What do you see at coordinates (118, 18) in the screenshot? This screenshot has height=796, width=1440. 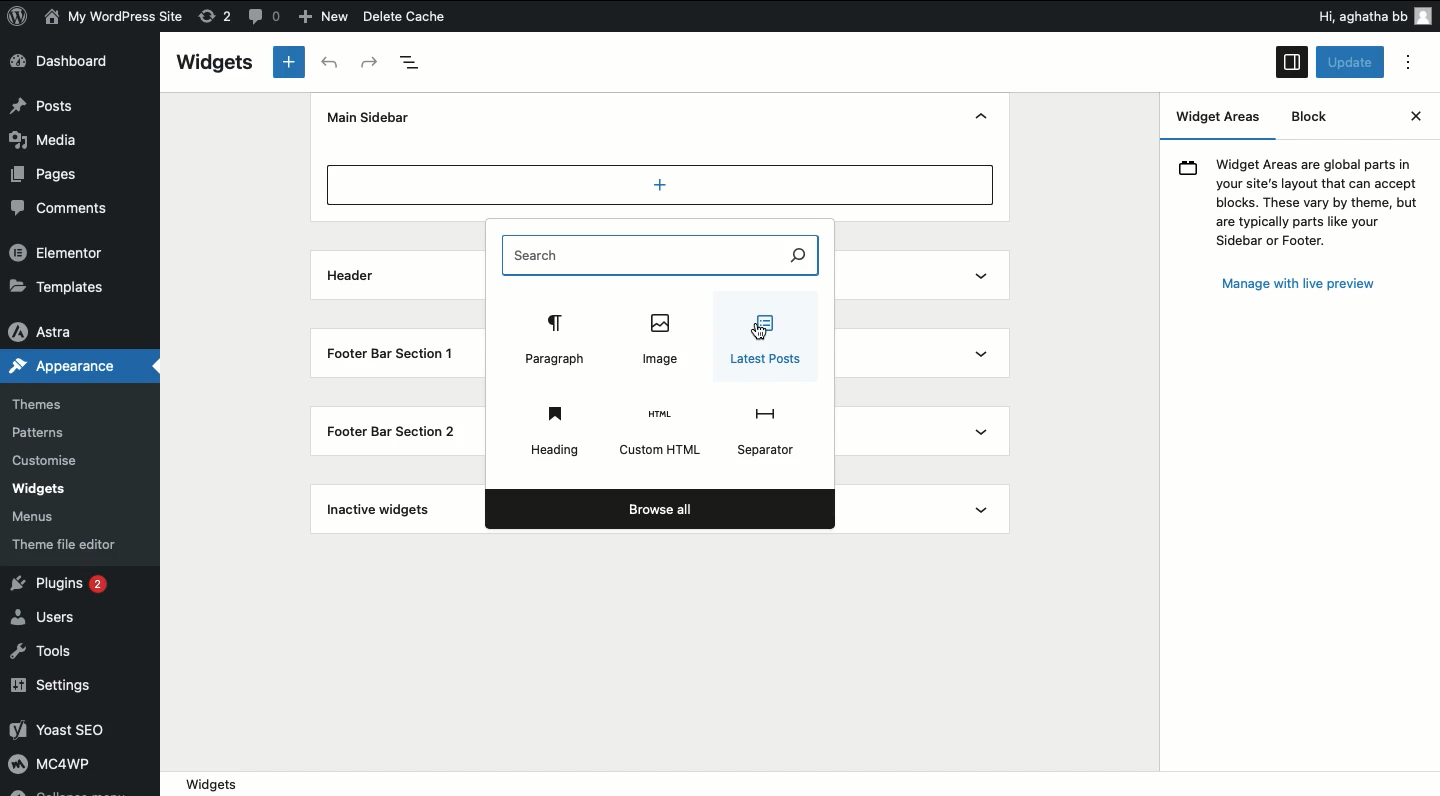 I see ` My WordPress Site` at bounding box center [118, 18].